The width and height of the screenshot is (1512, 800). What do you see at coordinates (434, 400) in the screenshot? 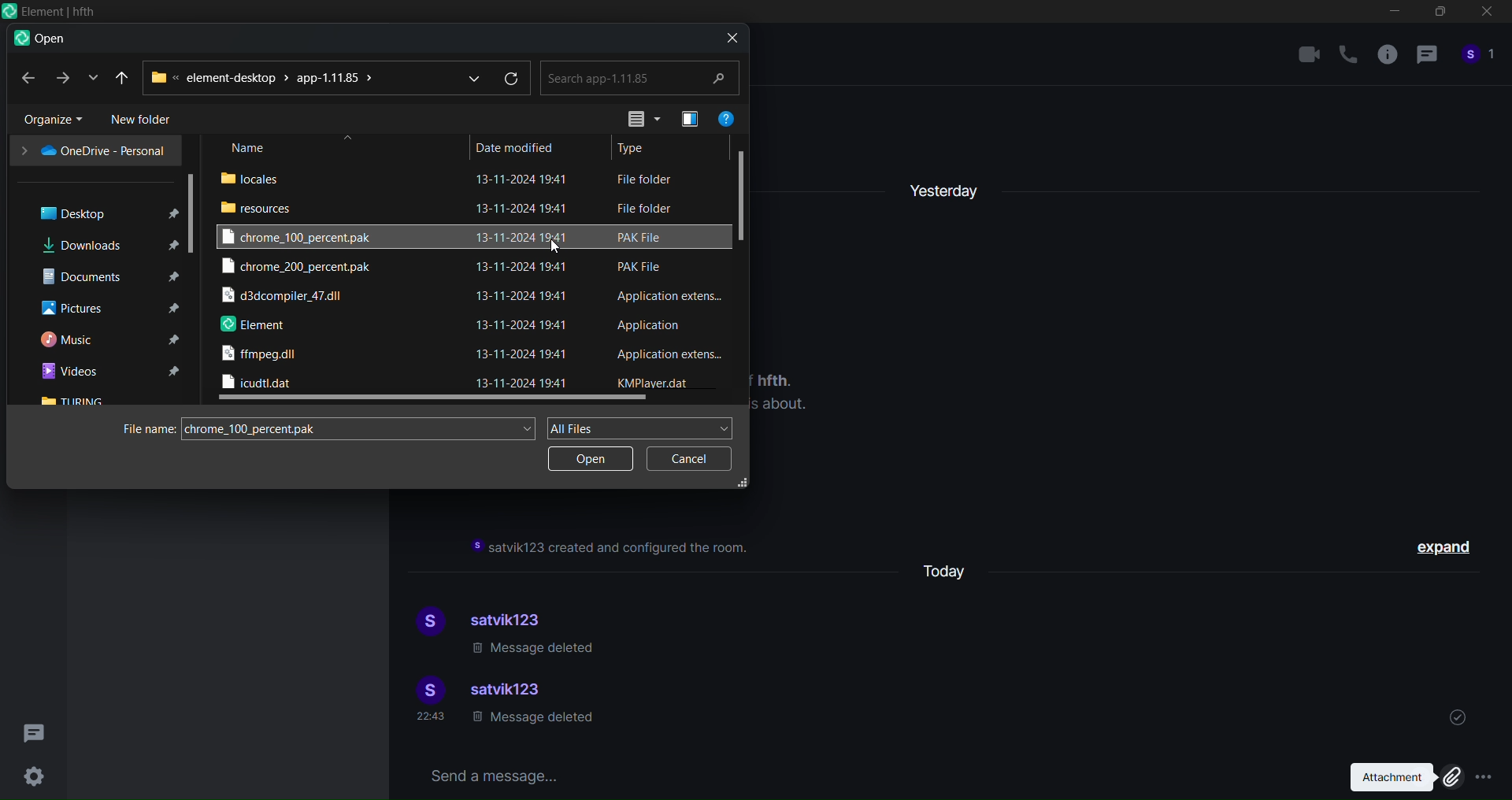
I see `horizontal scroll bar` at bounding box center [434, 400].